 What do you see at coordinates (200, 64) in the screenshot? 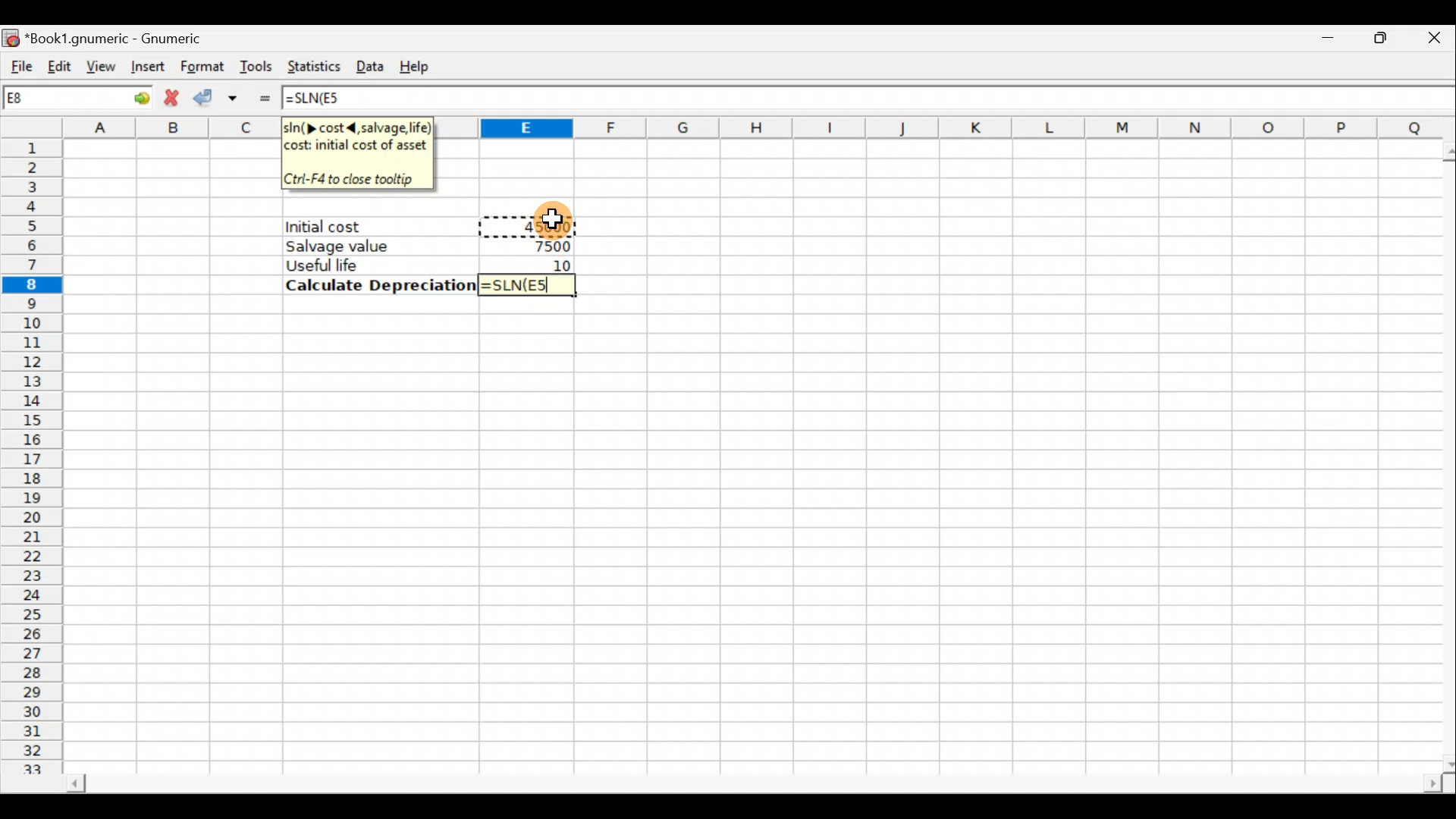
I see `Format` at bounding box center [200, 64].